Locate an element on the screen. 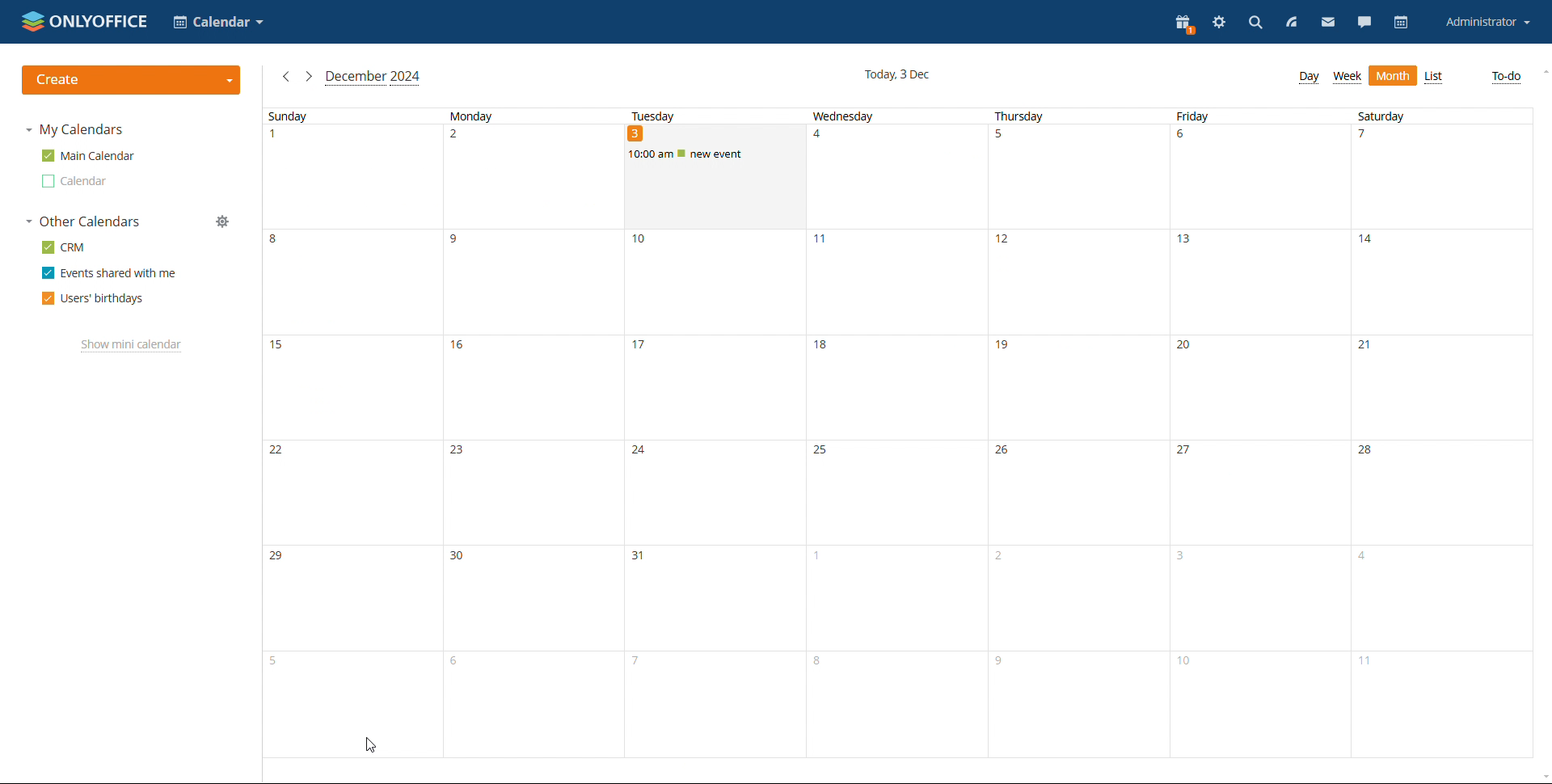 The image size is (1552, 784). other calendar is located at coordinates (76, 181).